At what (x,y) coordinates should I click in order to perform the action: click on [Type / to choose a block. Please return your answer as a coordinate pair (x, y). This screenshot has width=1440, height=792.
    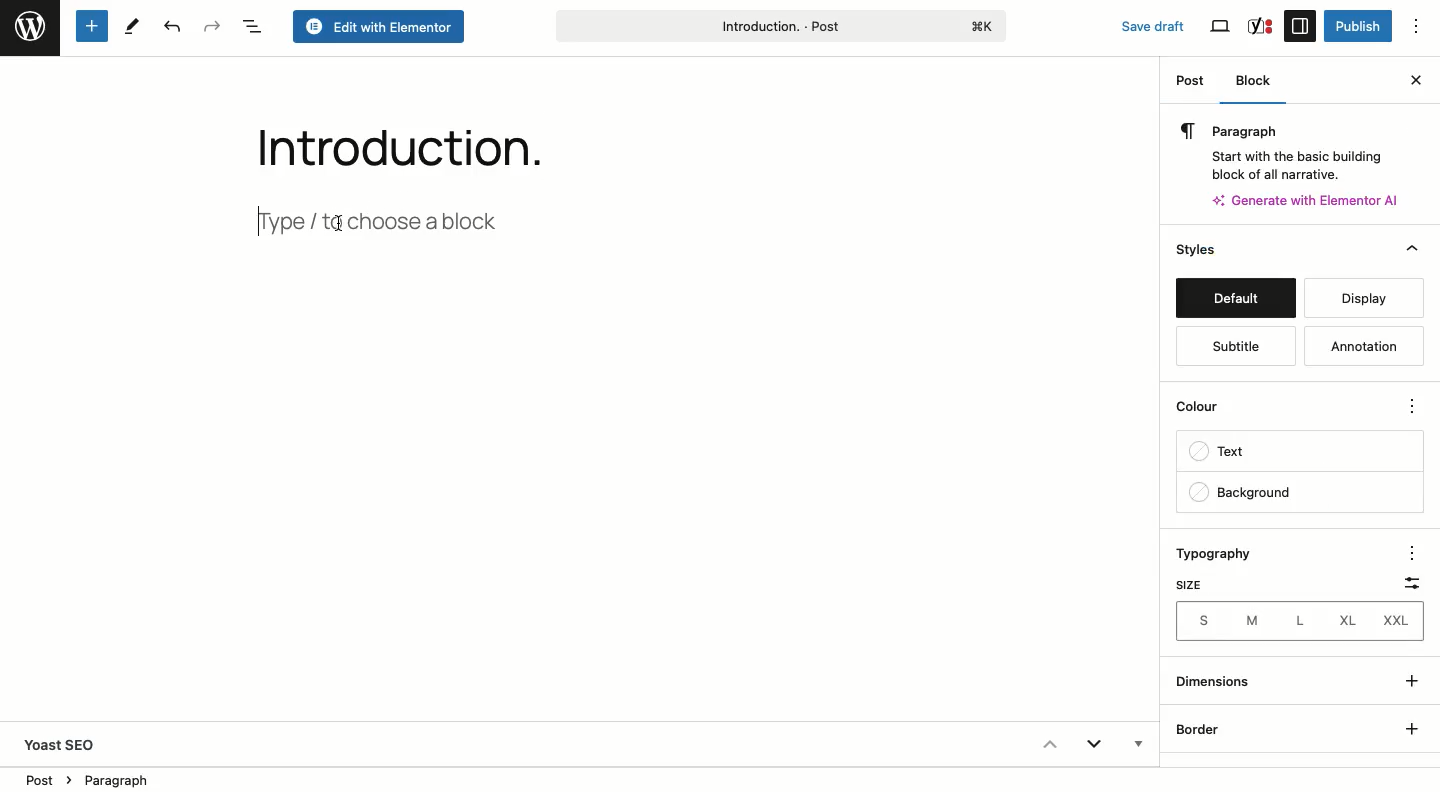
    Looking at the image, I should click on (397, 218).